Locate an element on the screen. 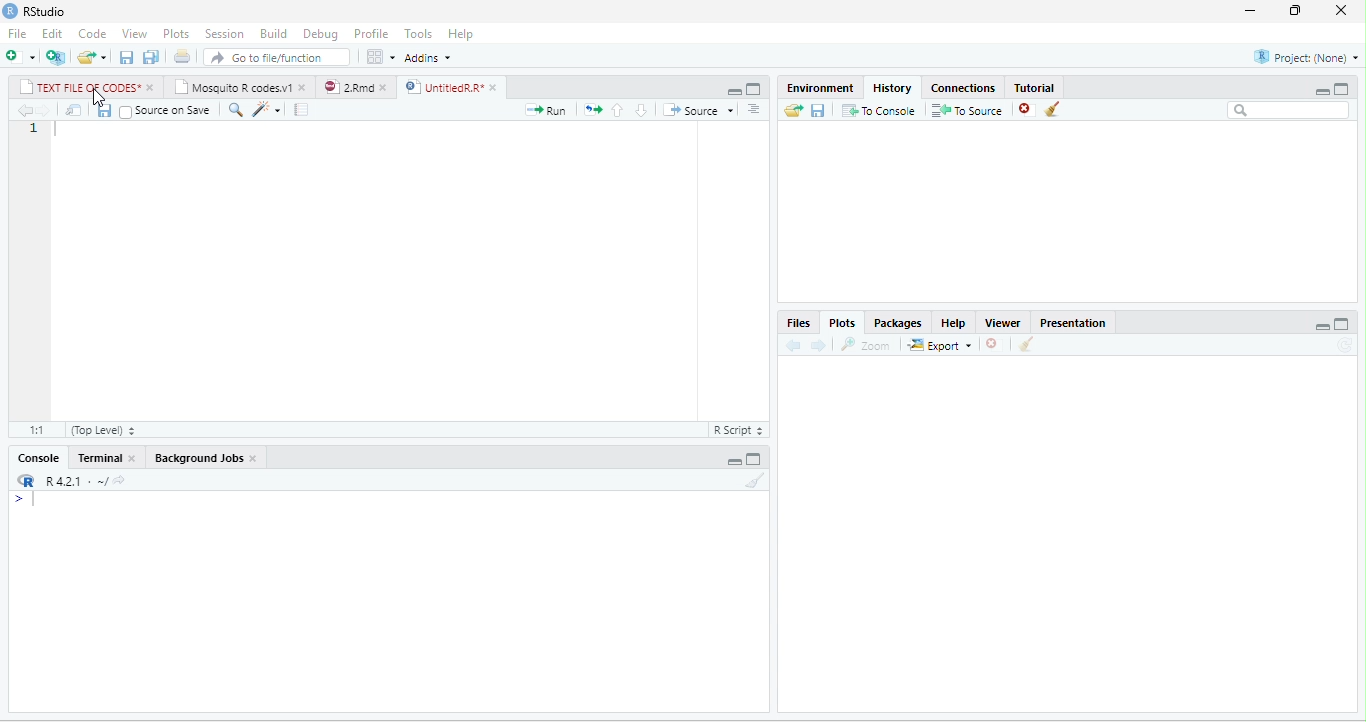 The height and width of the screenshot is (722, 1366). Plots is located at coordinates (177, 34).